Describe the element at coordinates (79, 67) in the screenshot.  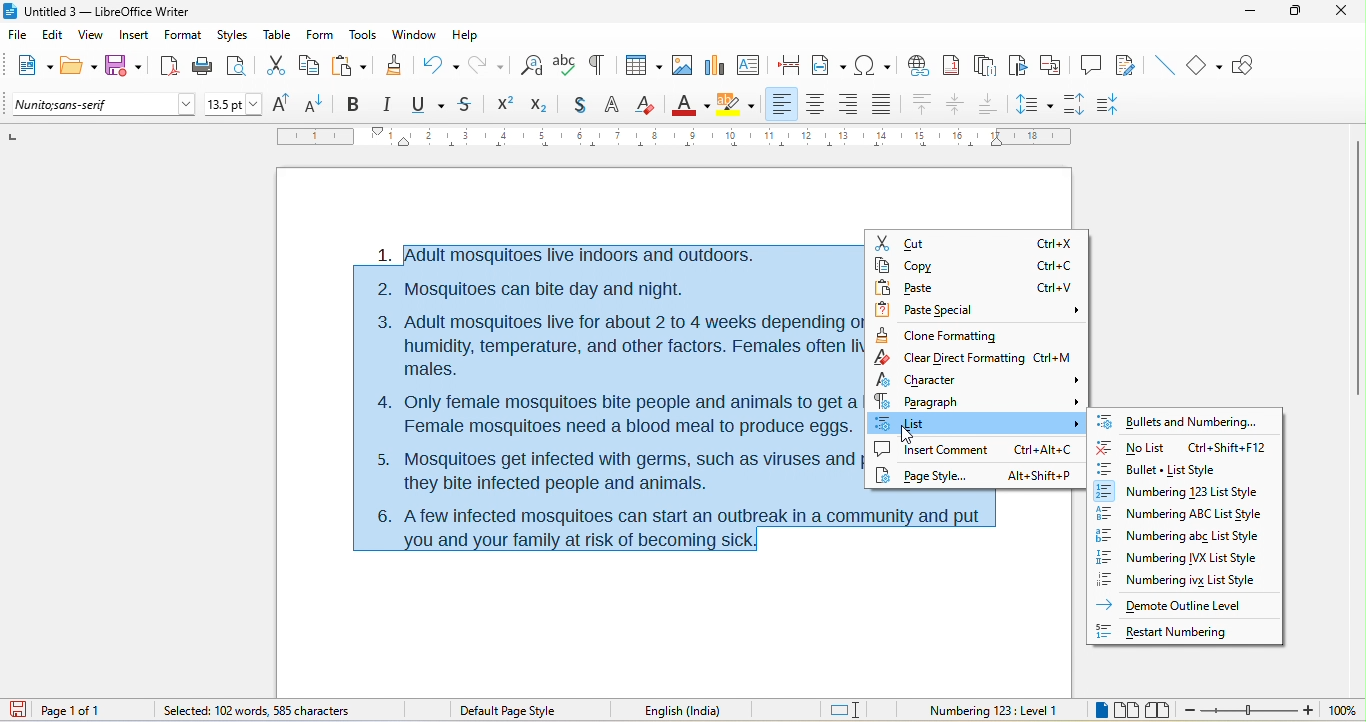
I see `open` at that location.